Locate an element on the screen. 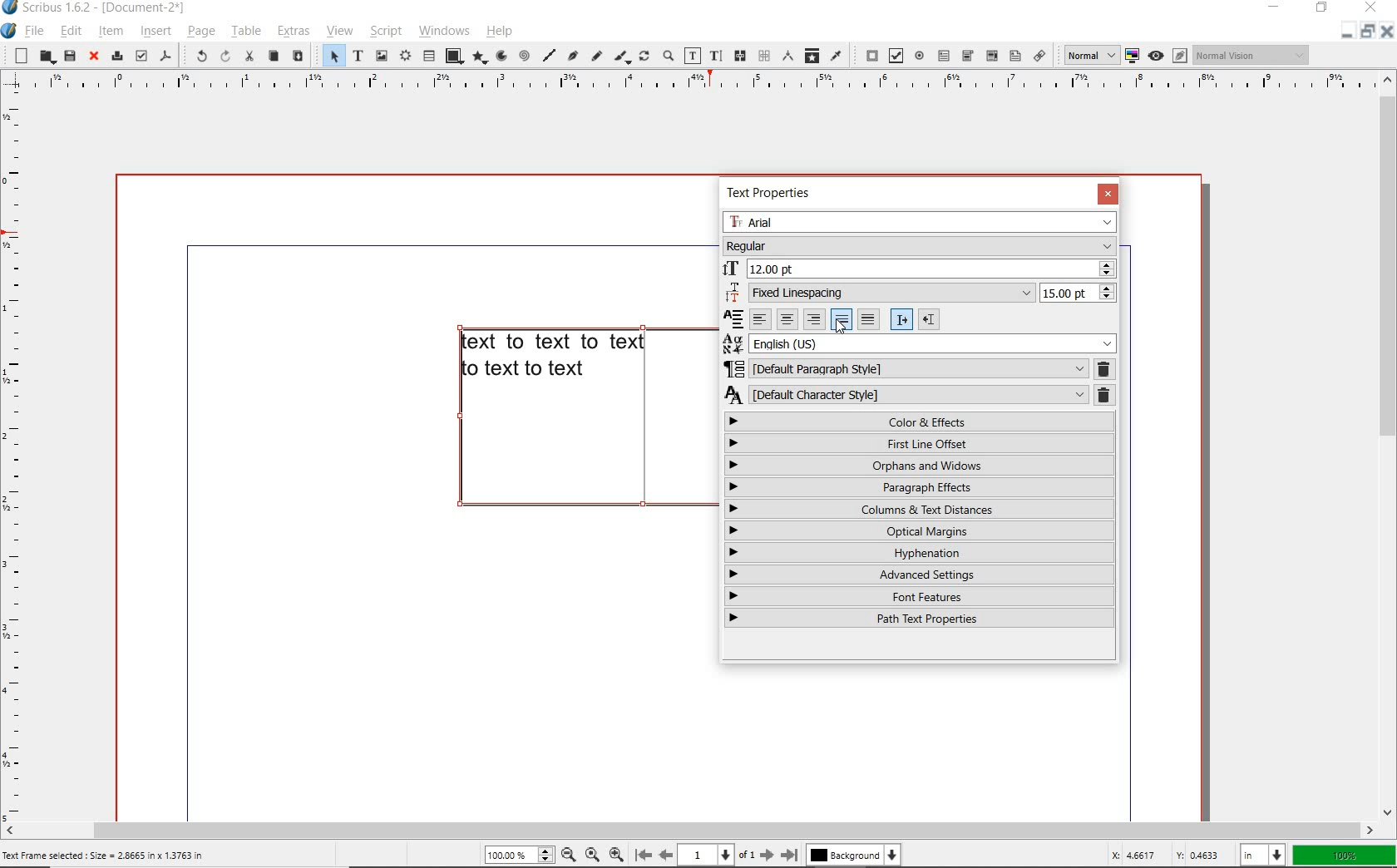  page  is located at coordinates (707, 854).